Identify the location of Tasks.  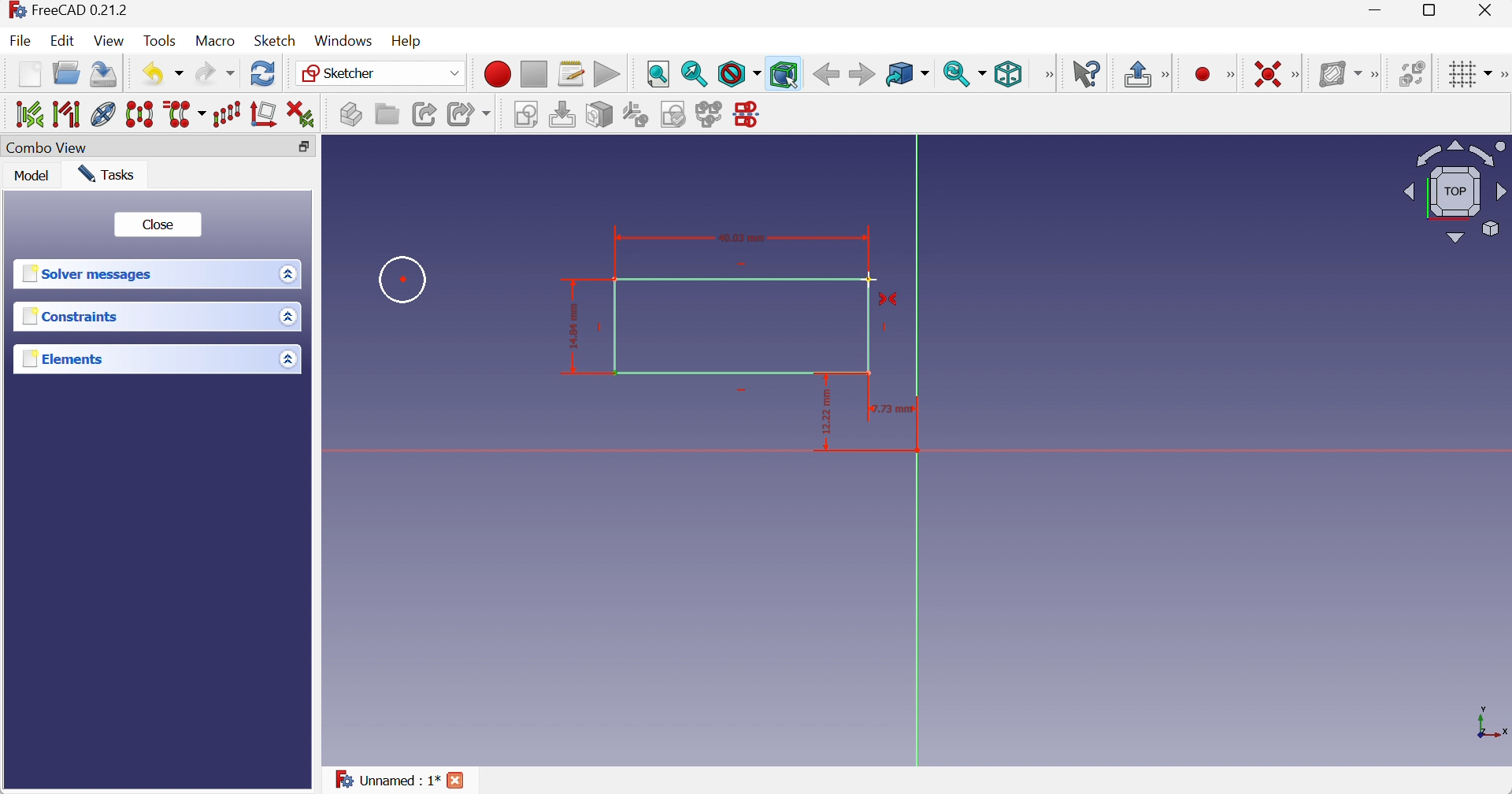
(106, 174).